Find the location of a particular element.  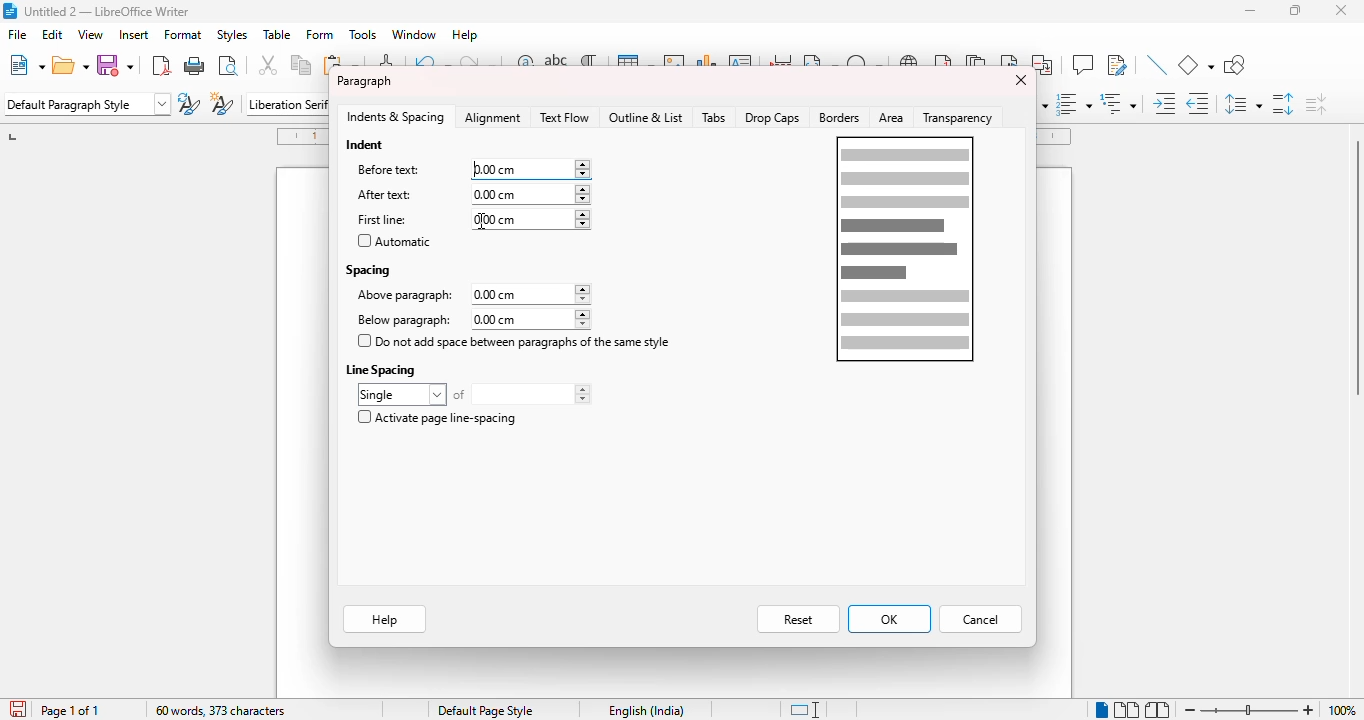

insert cross-reference is located at coordinates (1044, 65).